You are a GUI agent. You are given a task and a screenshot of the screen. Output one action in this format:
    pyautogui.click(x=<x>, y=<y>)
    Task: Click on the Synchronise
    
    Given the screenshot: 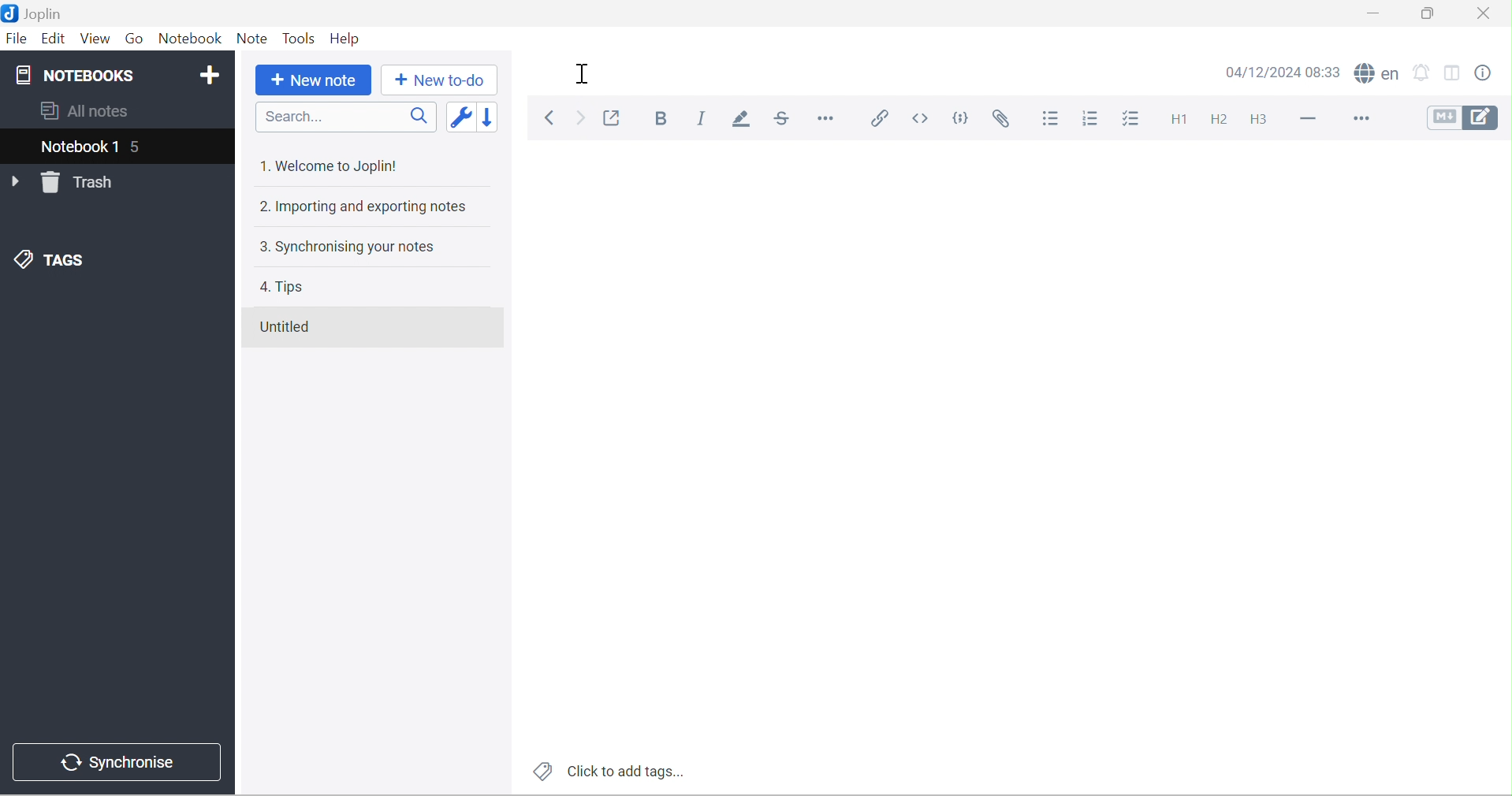 What is the action you would take?
    pyautogui.click(x=117, y=762)
    